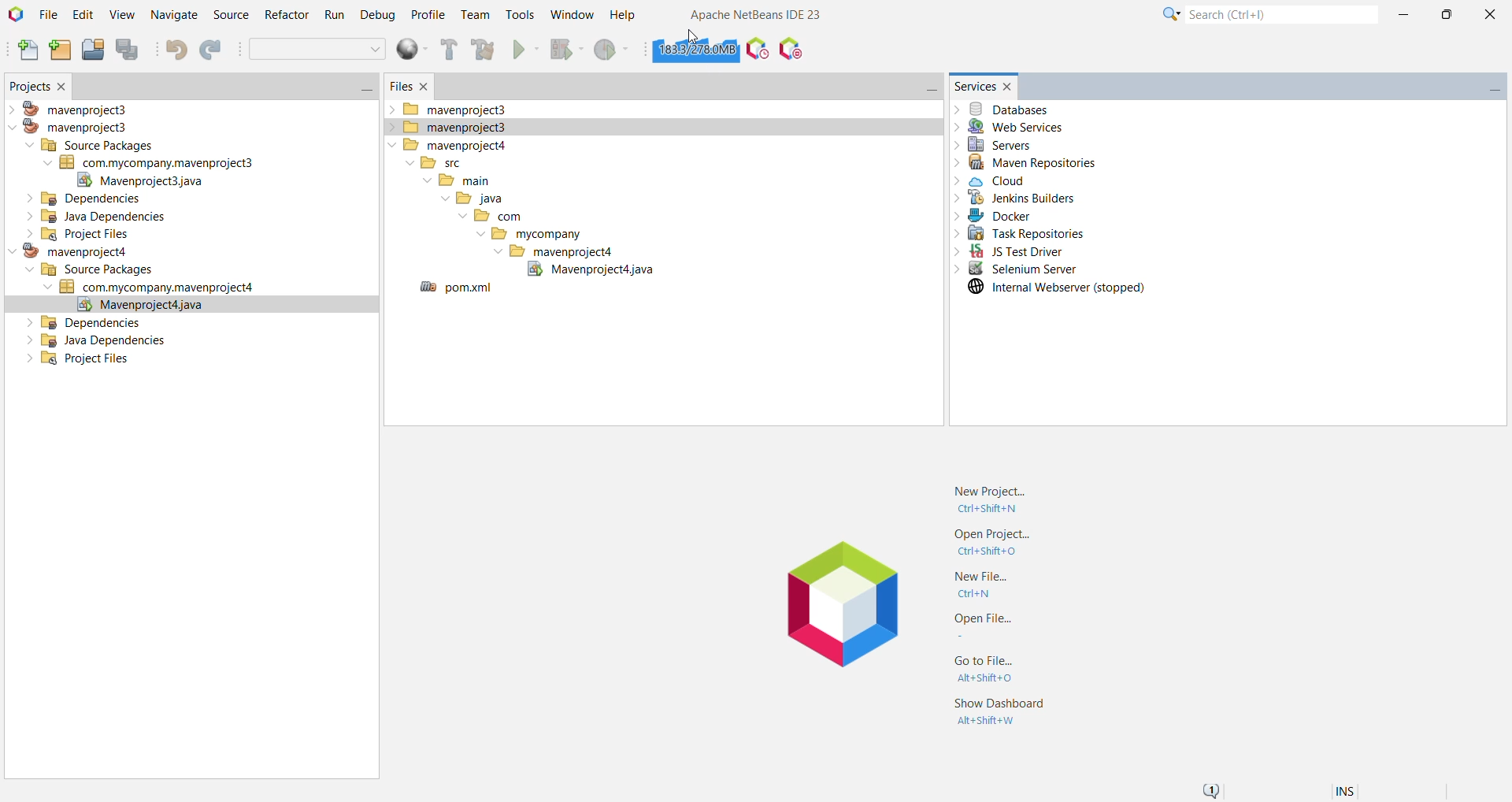 Image resolution: width=1512 pixels, height=802 pixels. What do you see at coordinates (1365, 789) in the screenshot?
I see `Encoding` at bounding box center [1365, 789].